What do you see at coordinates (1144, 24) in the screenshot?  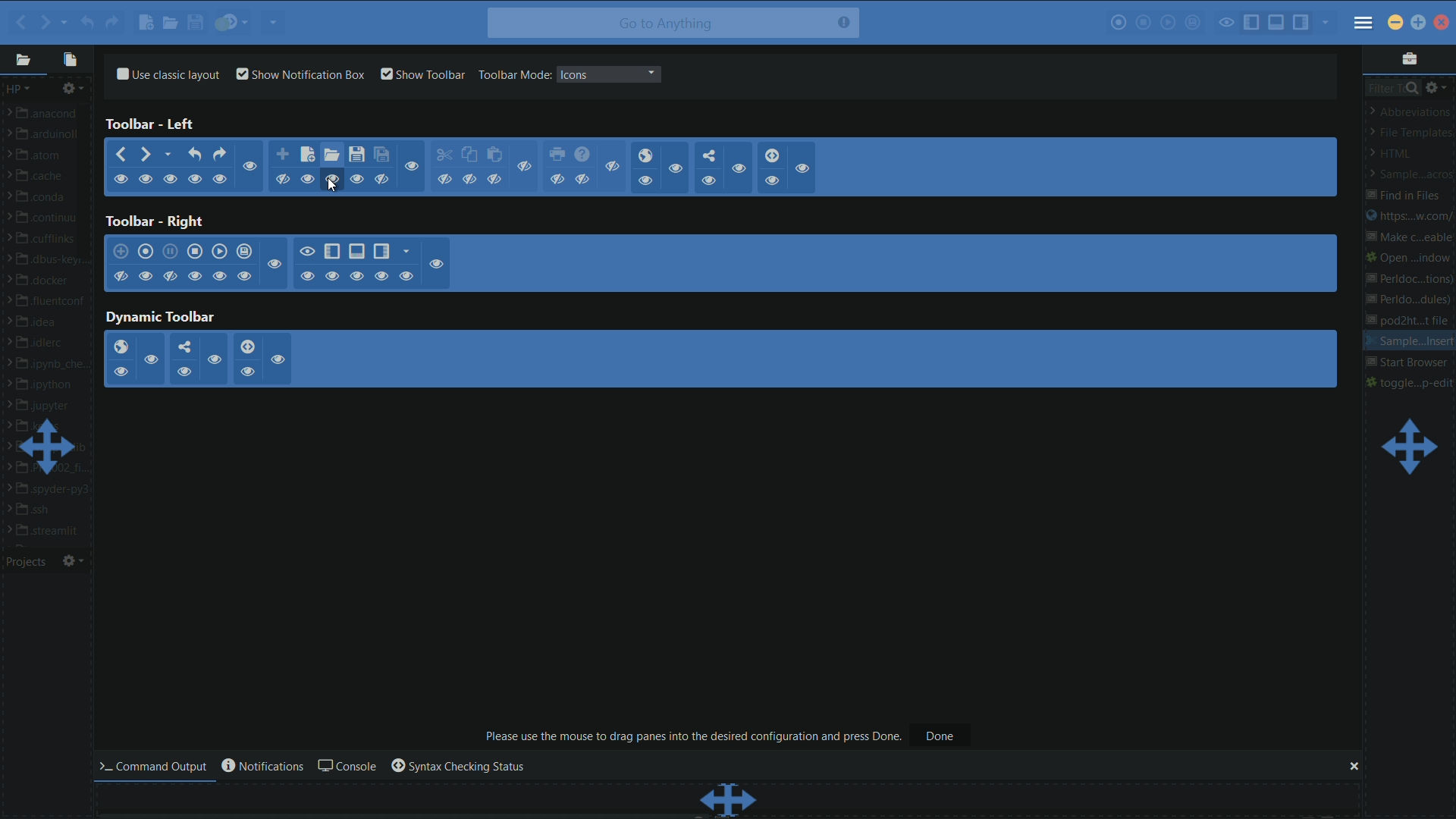 I see `stop macros` at bounding box center [1144, 24].